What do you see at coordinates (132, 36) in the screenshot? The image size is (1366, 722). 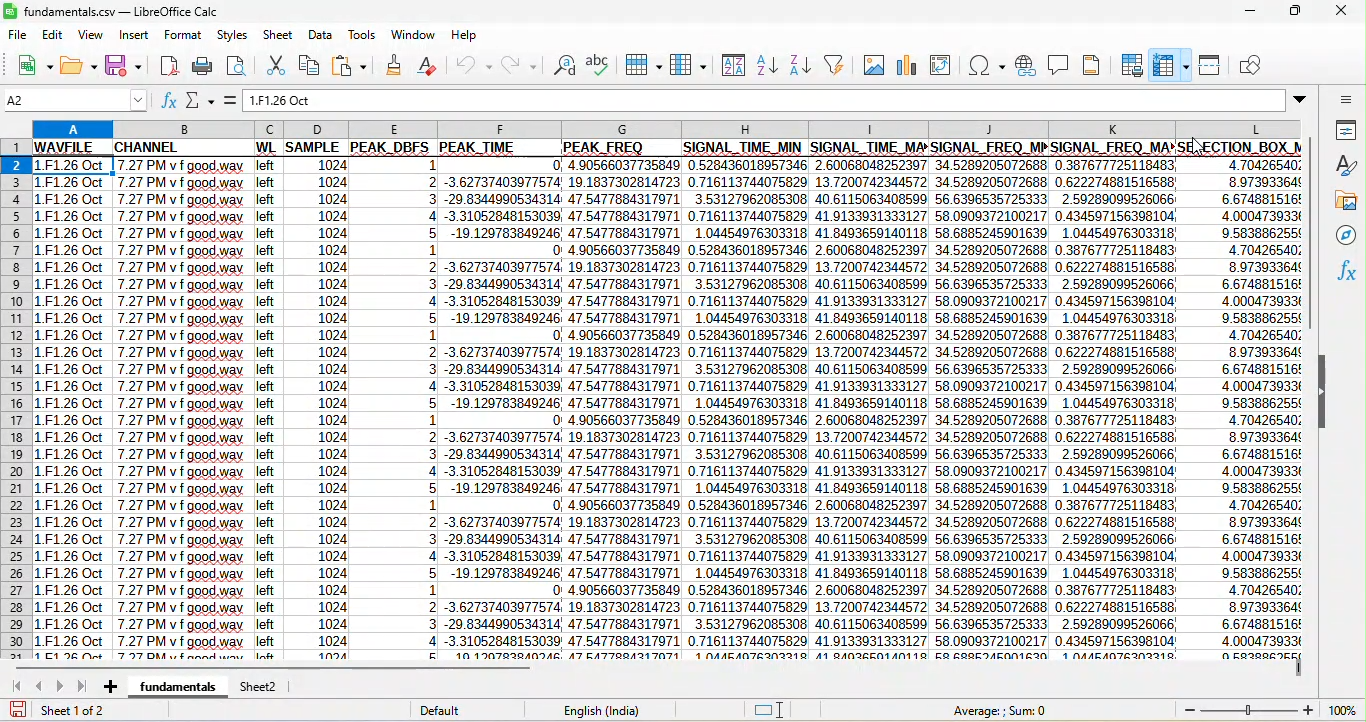 I see `insert` at bounding box center [132, 36].